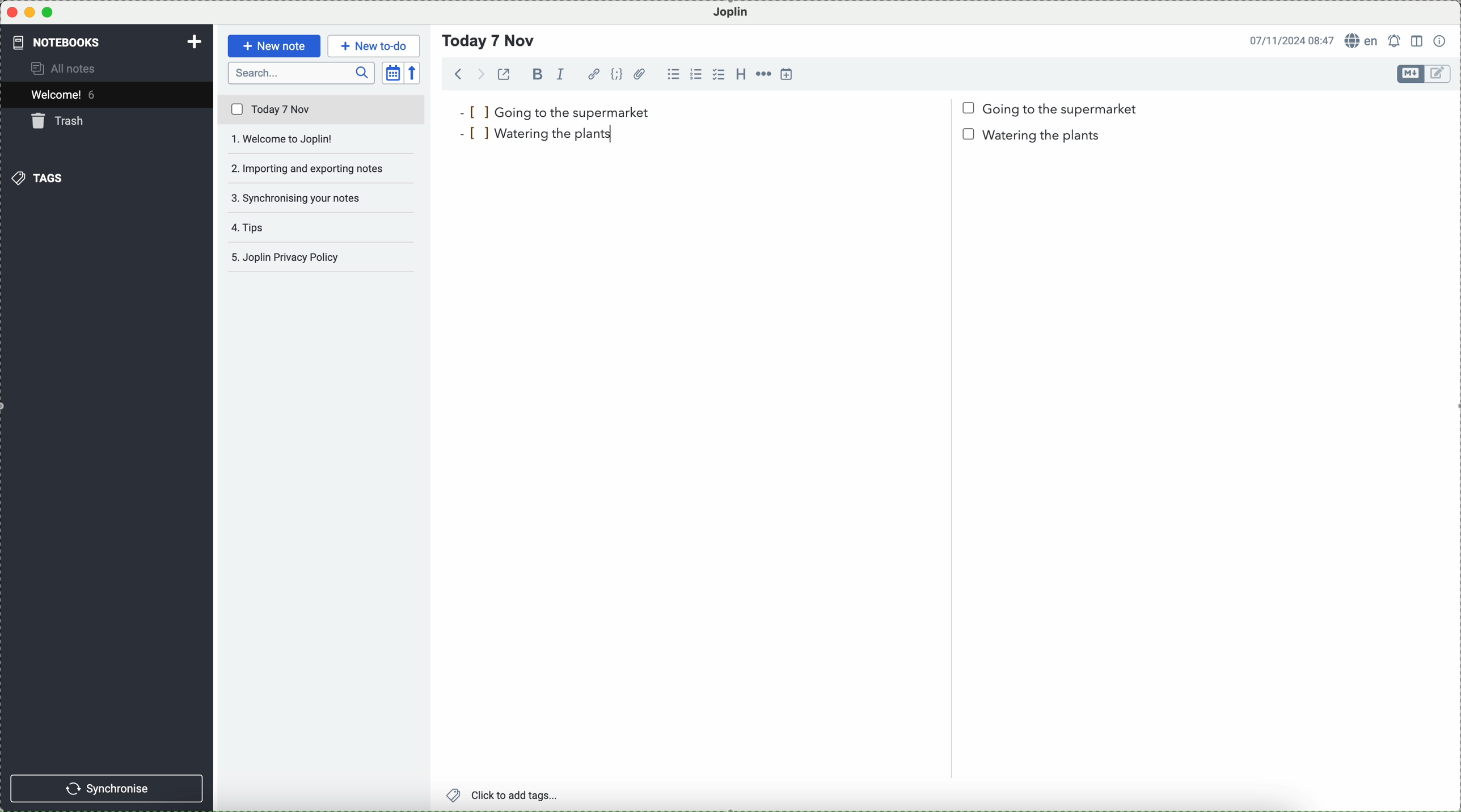  I want to click on set alarm, so click(1396, 41).